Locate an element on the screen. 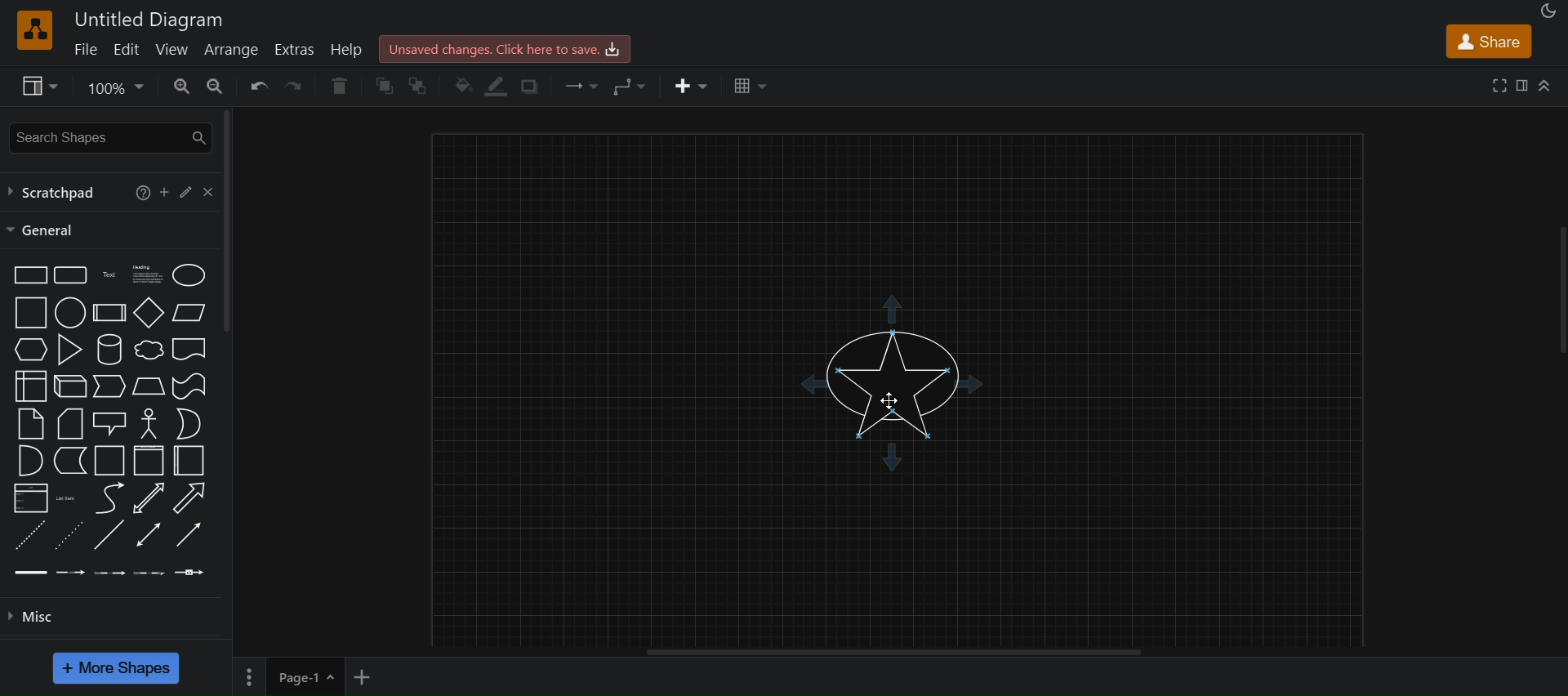 This screenshot has height=696, width=1568. appearance is located at coordinates (1549, 11).